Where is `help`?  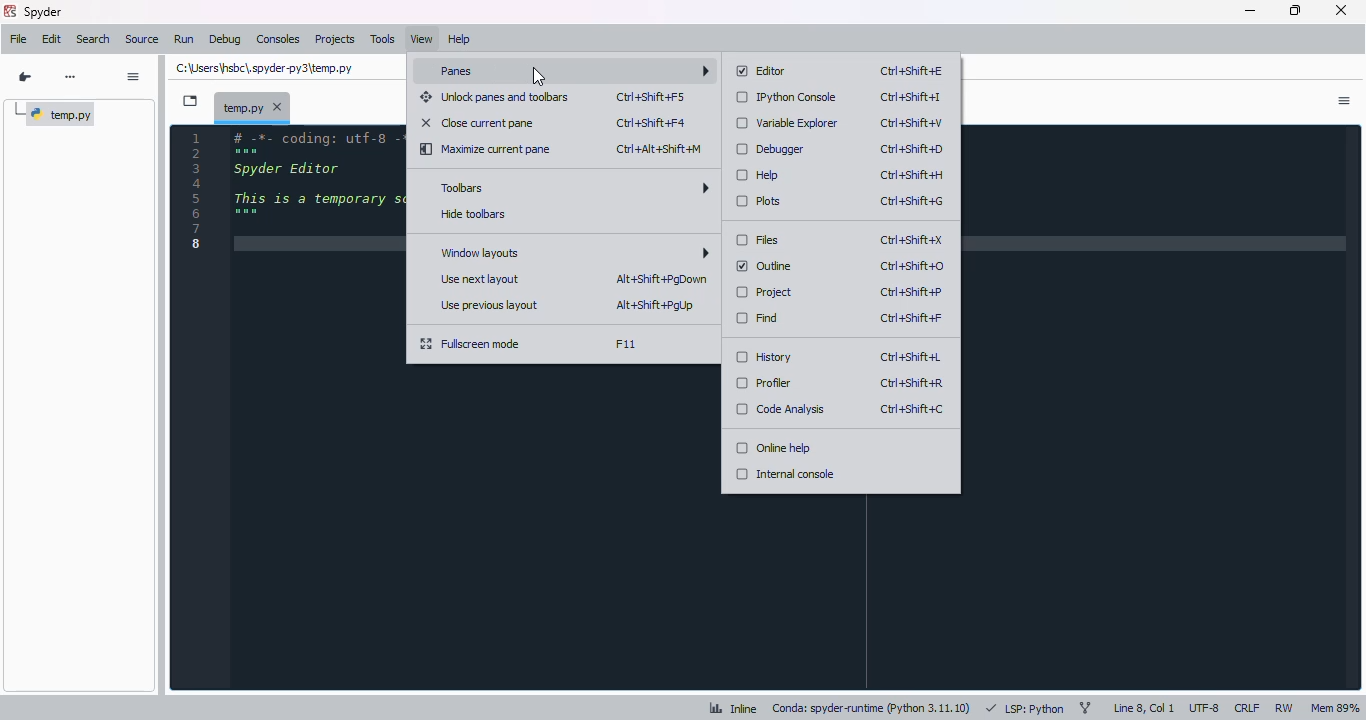 help is located at coordinates (459, 40).